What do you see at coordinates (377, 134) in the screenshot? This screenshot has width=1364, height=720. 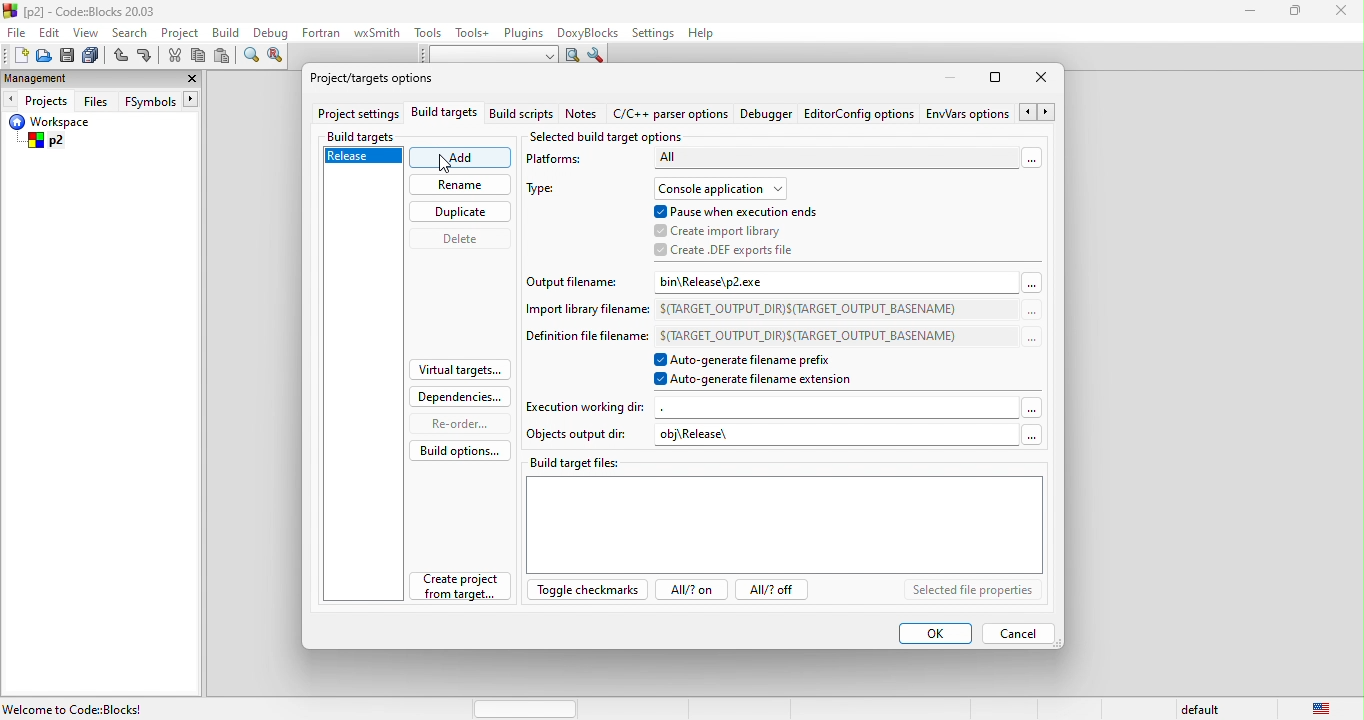 I see `build targets` at bounding box center [377, 134].